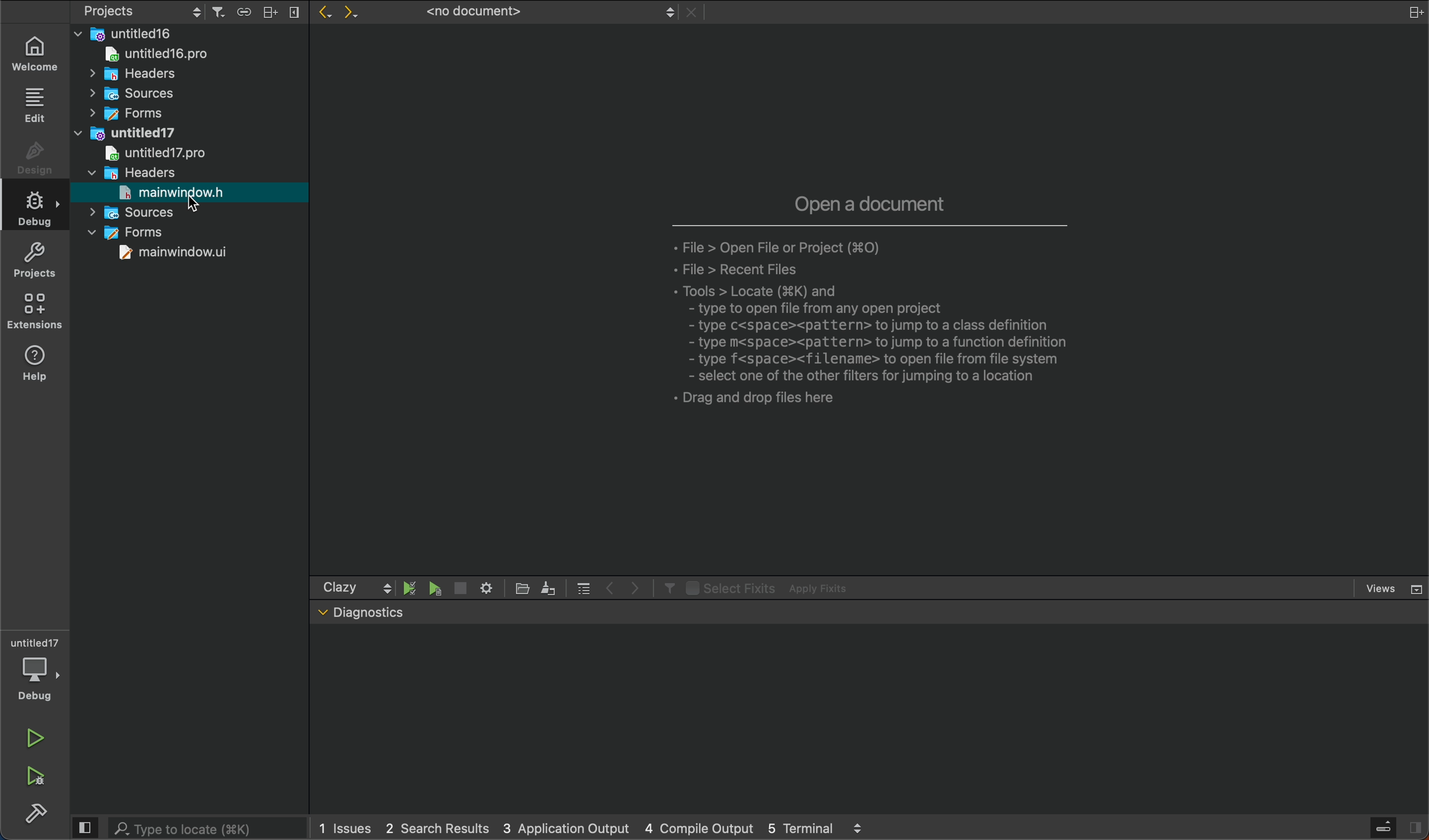 The width and height of the screenshot is (1429, 840). What do you see at coordinates (39, 211) in the screenshot?
I see `DEBUG` at bounding box center [39, 211].